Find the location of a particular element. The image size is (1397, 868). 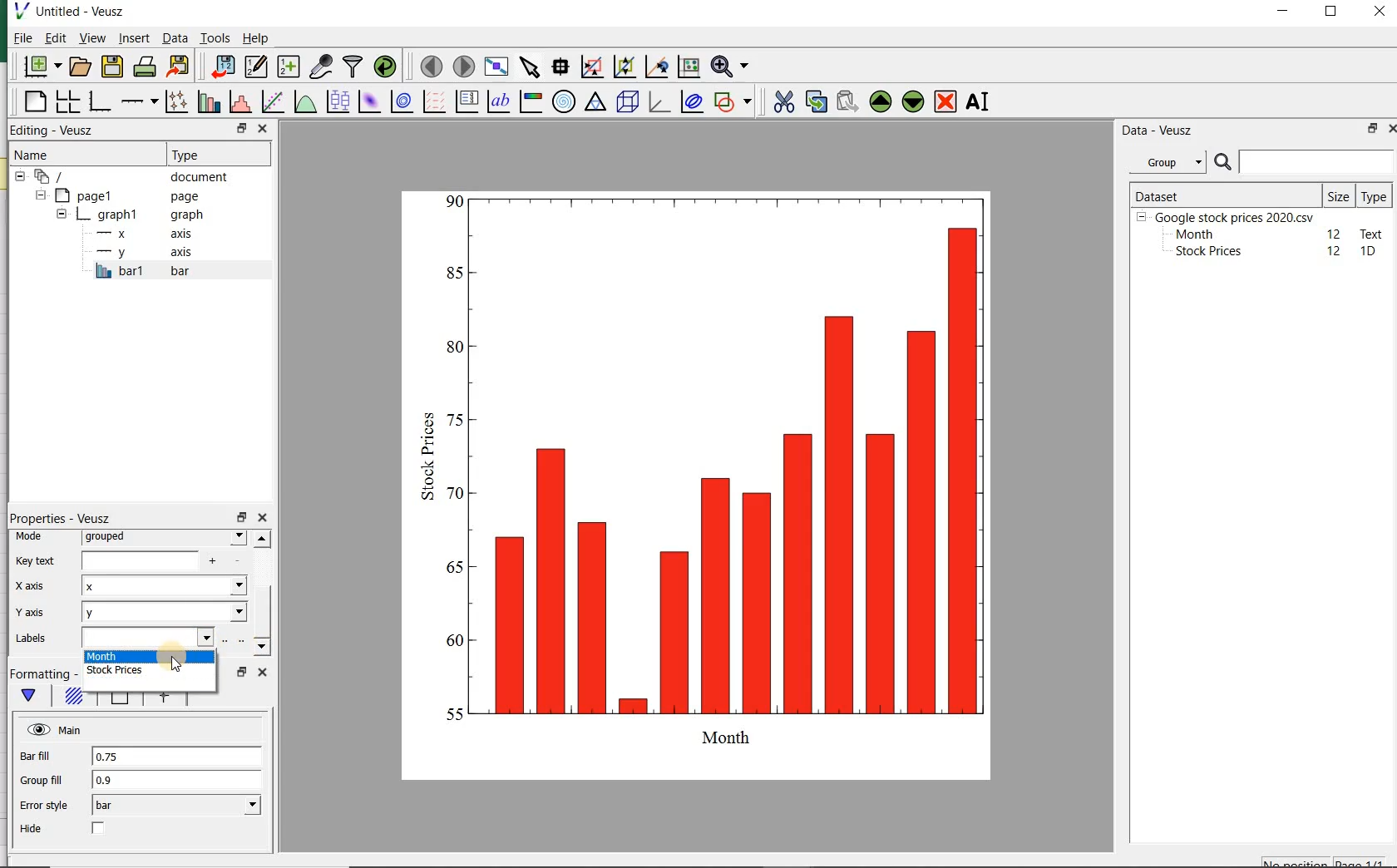

bar1 is located at coordinates (140, 272).